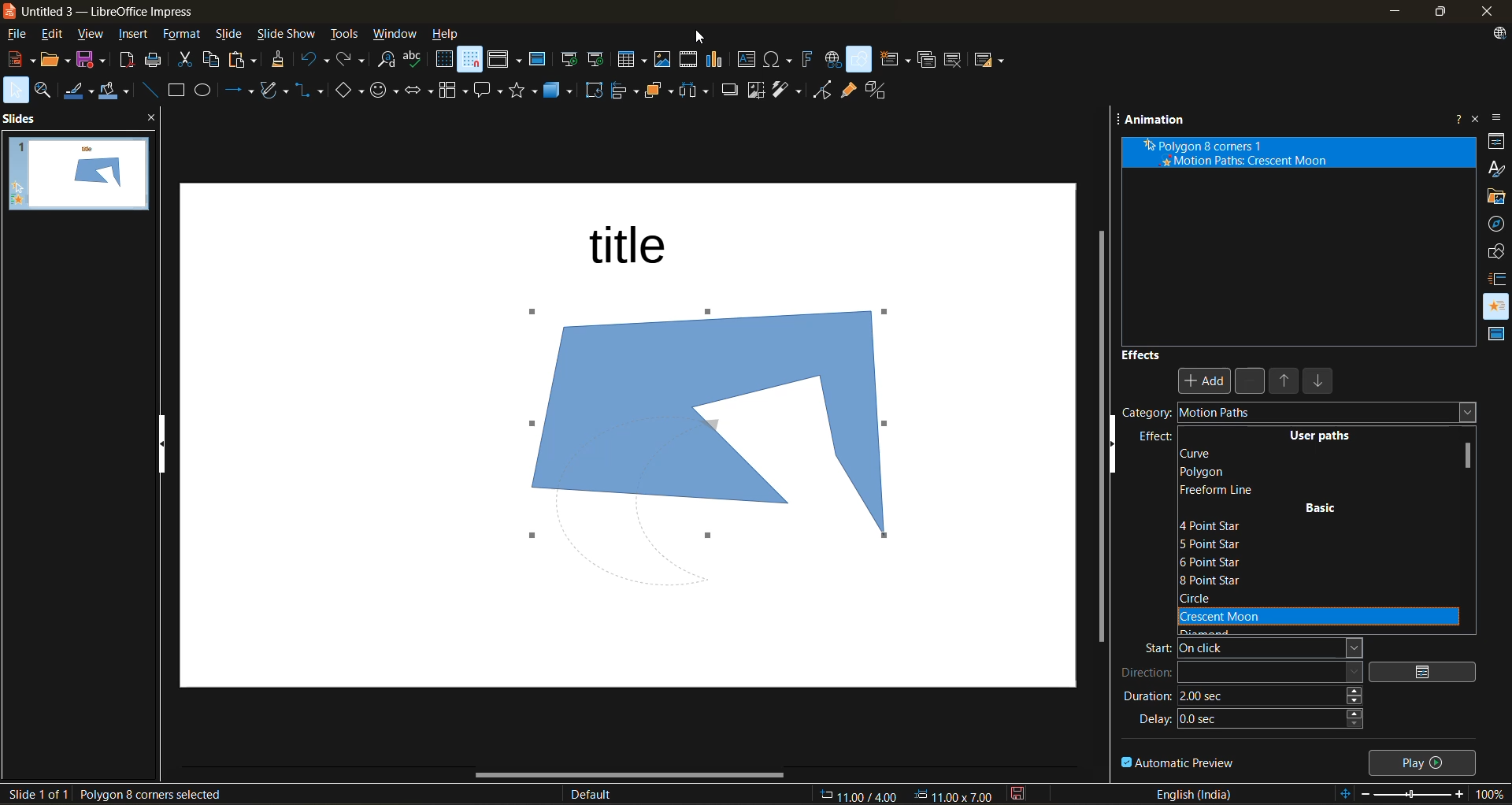 The image size is (1512, 805). Describe the element at coordinates (92, 60) in the screenshot. I see `save` at that location.